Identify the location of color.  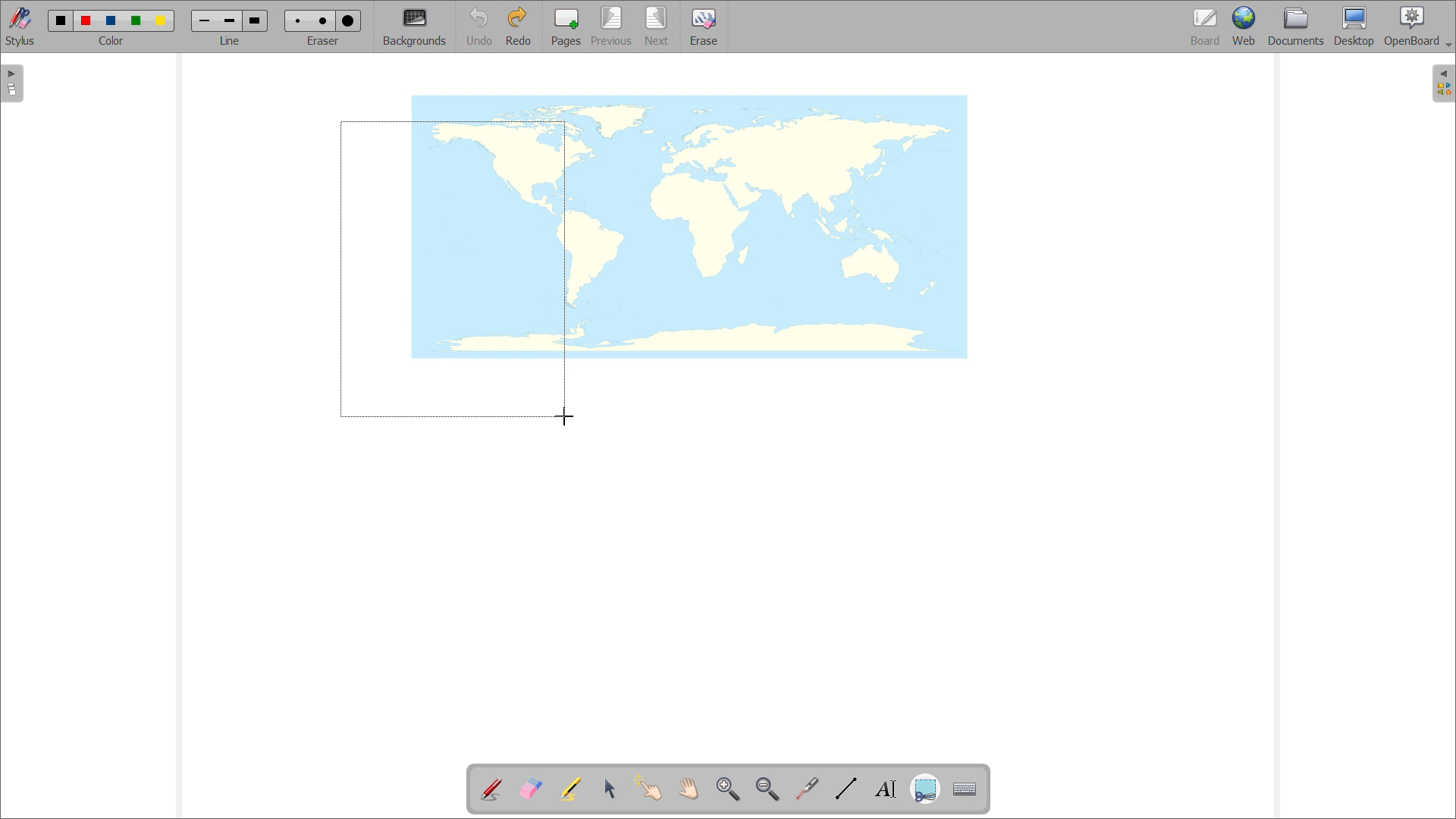
(111, 41).